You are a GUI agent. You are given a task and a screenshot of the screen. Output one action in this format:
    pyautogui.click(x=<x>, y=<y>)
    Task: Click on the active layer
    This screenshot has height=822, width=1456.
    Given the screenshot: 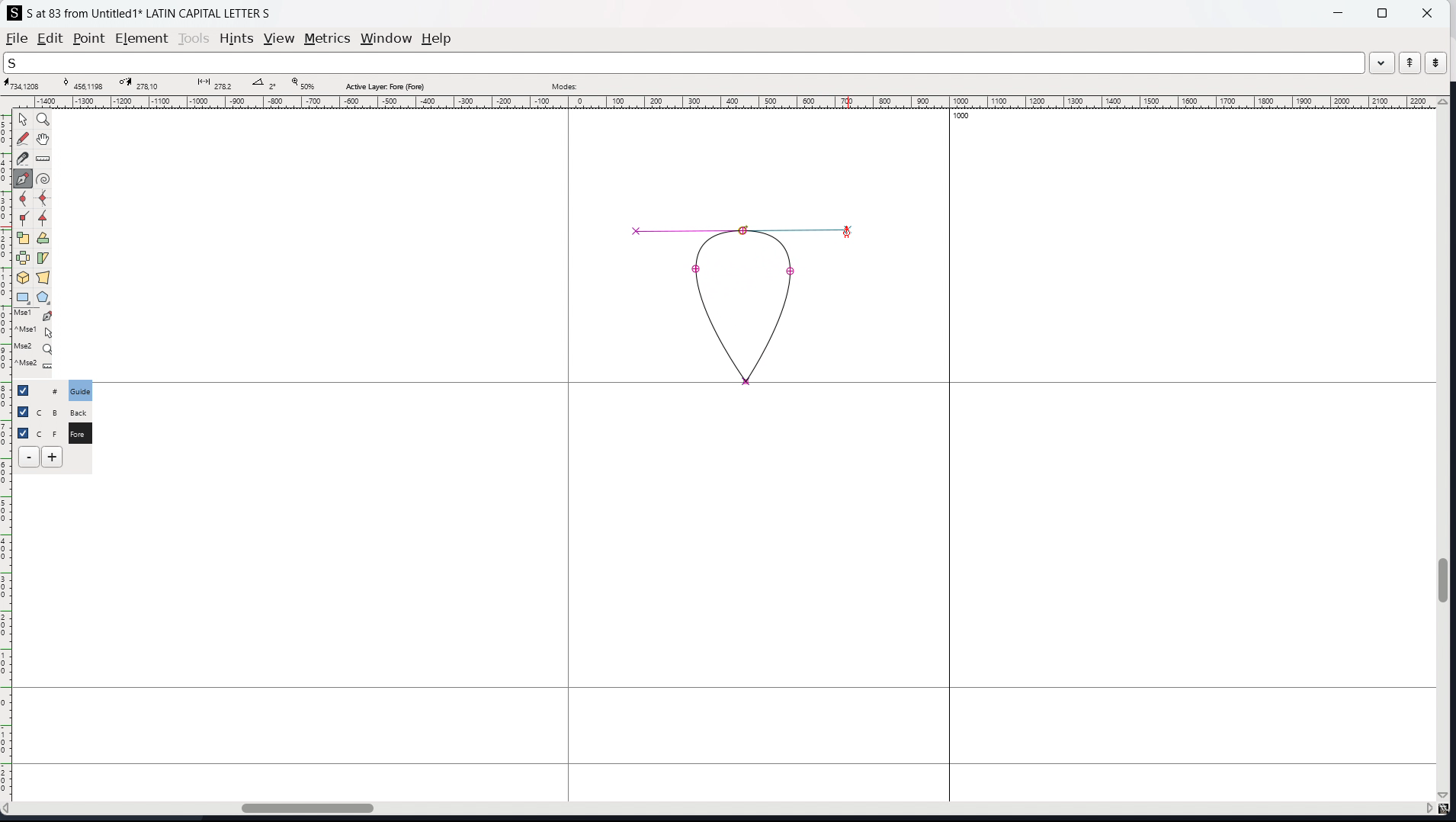 What is the action you would take?
    pyautogui.click(x=384, y=86)
    